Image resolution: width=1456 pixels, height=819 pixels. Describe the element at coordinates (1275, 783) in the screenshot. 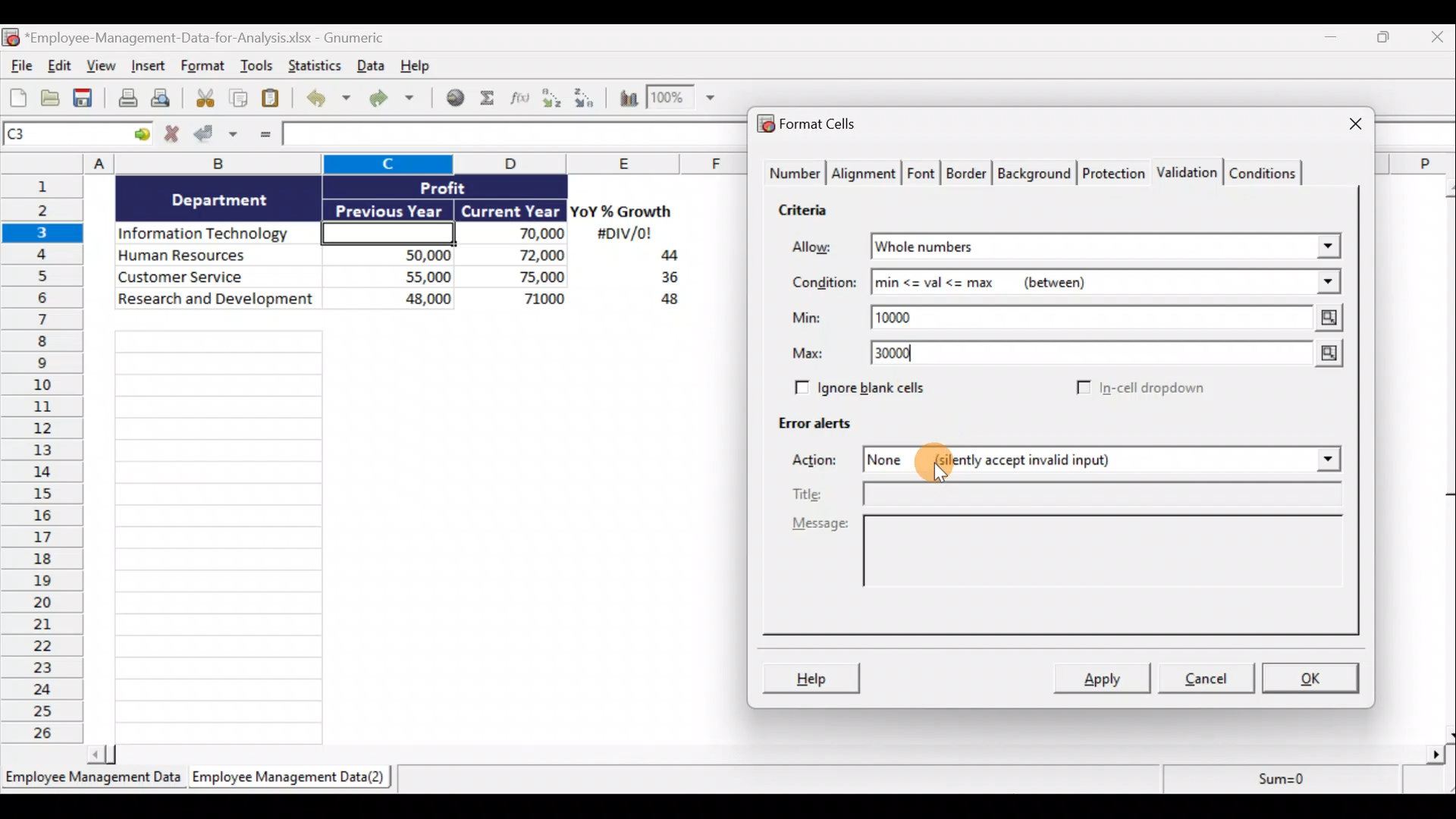

I see `Sum=0` at that location.